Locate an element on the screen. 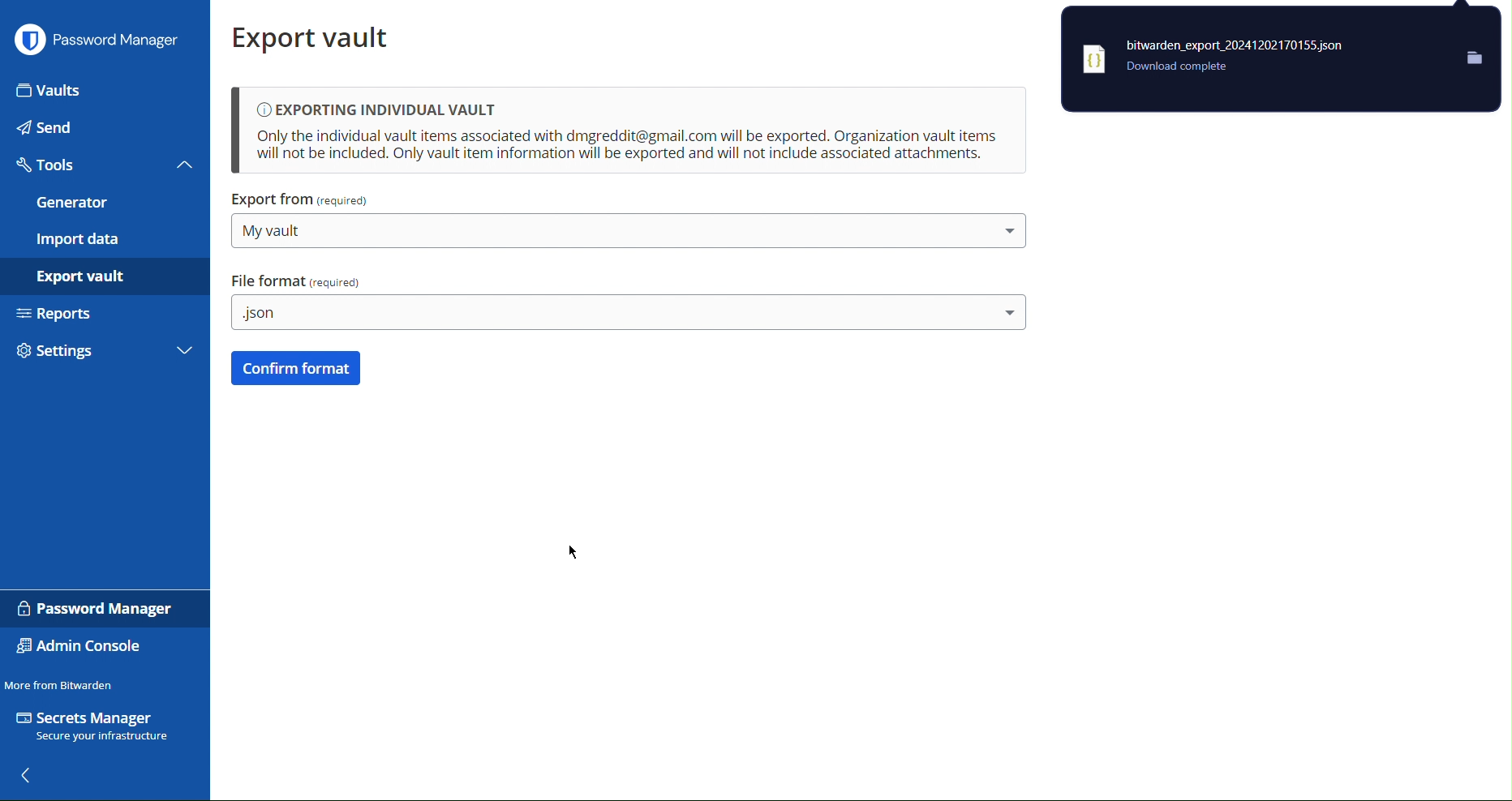  Export vault is located at coordinates (314, 36).